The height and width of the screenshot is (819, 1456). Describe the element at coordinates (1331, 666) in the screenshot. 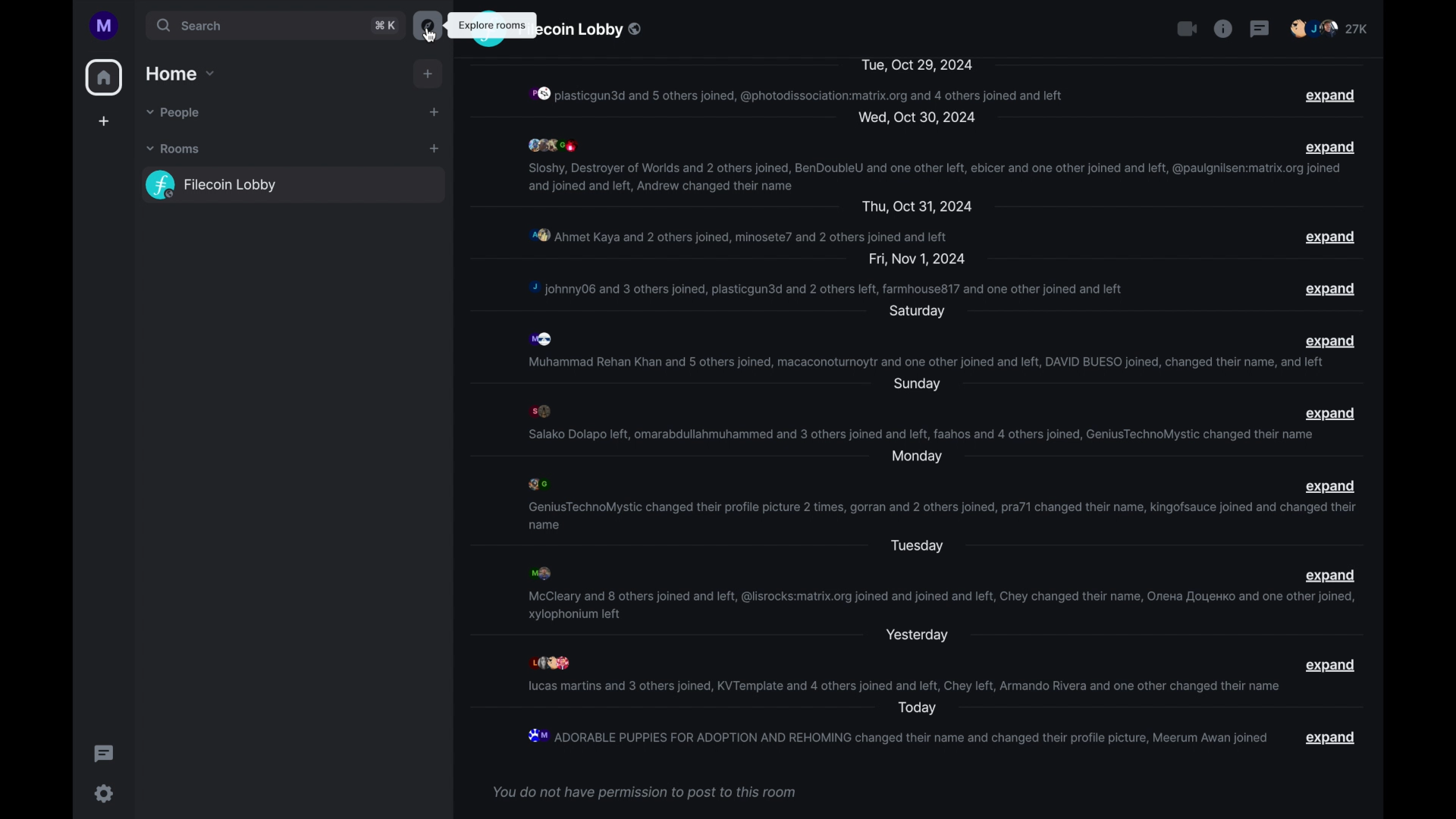

I see `expand` at that location.